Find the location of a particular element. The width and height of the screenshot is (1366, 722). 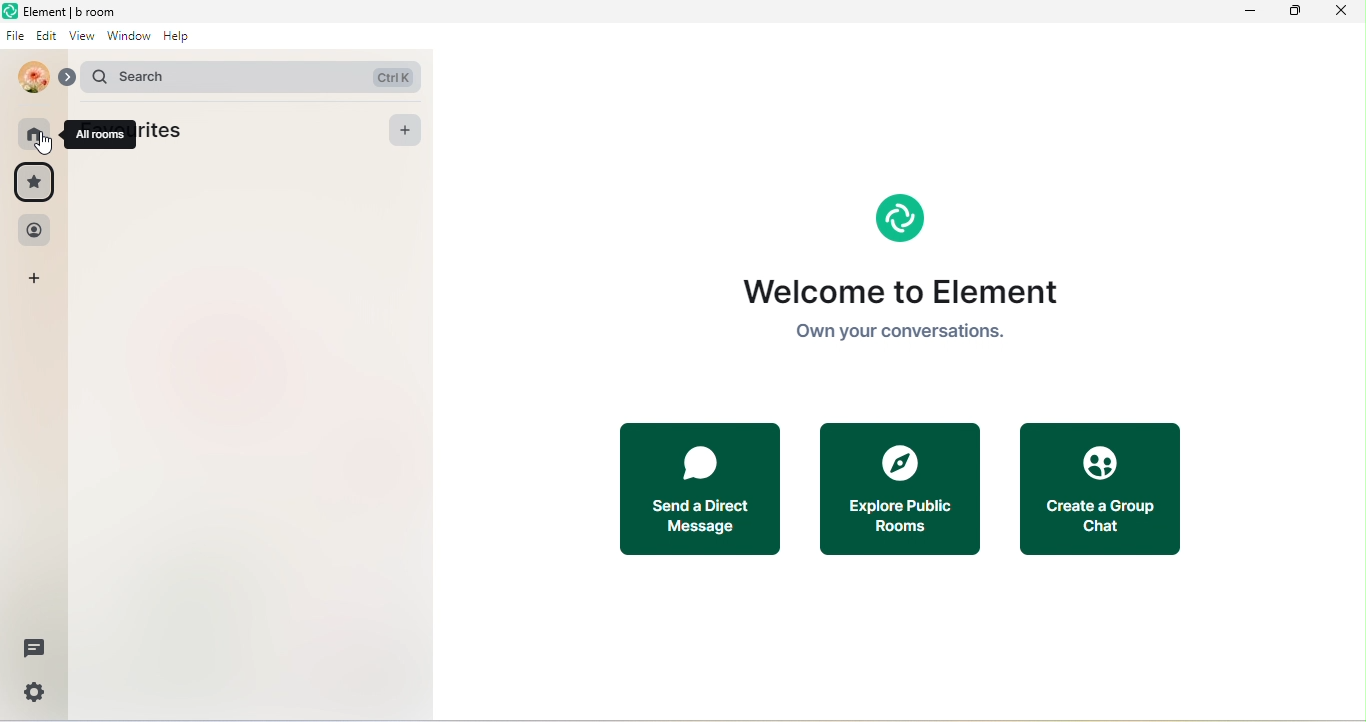

explore public room is located at coordinates (901, 486).